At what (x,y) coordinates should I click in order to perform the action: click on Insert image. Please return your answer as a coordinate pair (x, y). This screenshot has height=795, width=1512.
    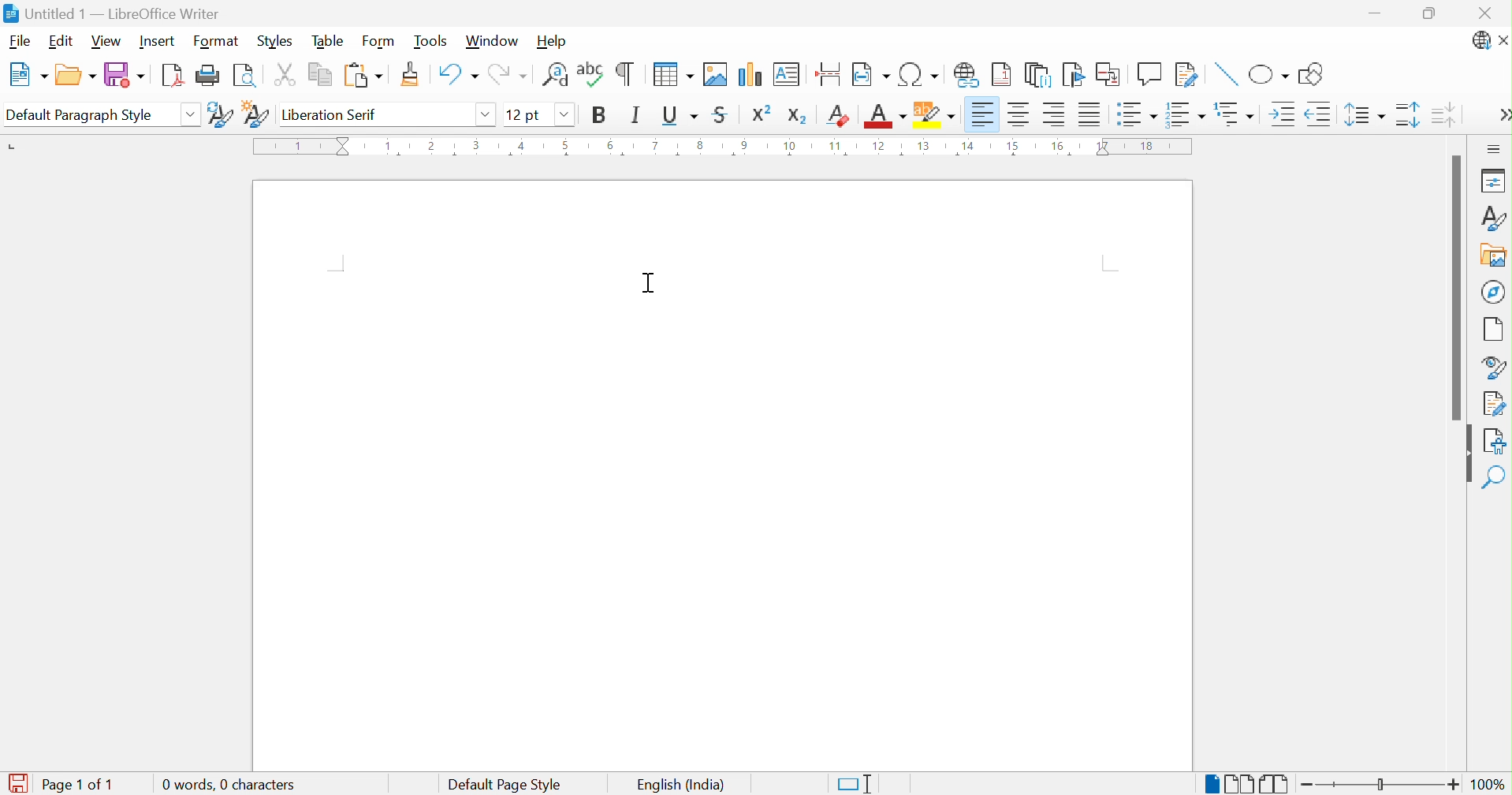
    Looking at the image, I should click on (717, 73).